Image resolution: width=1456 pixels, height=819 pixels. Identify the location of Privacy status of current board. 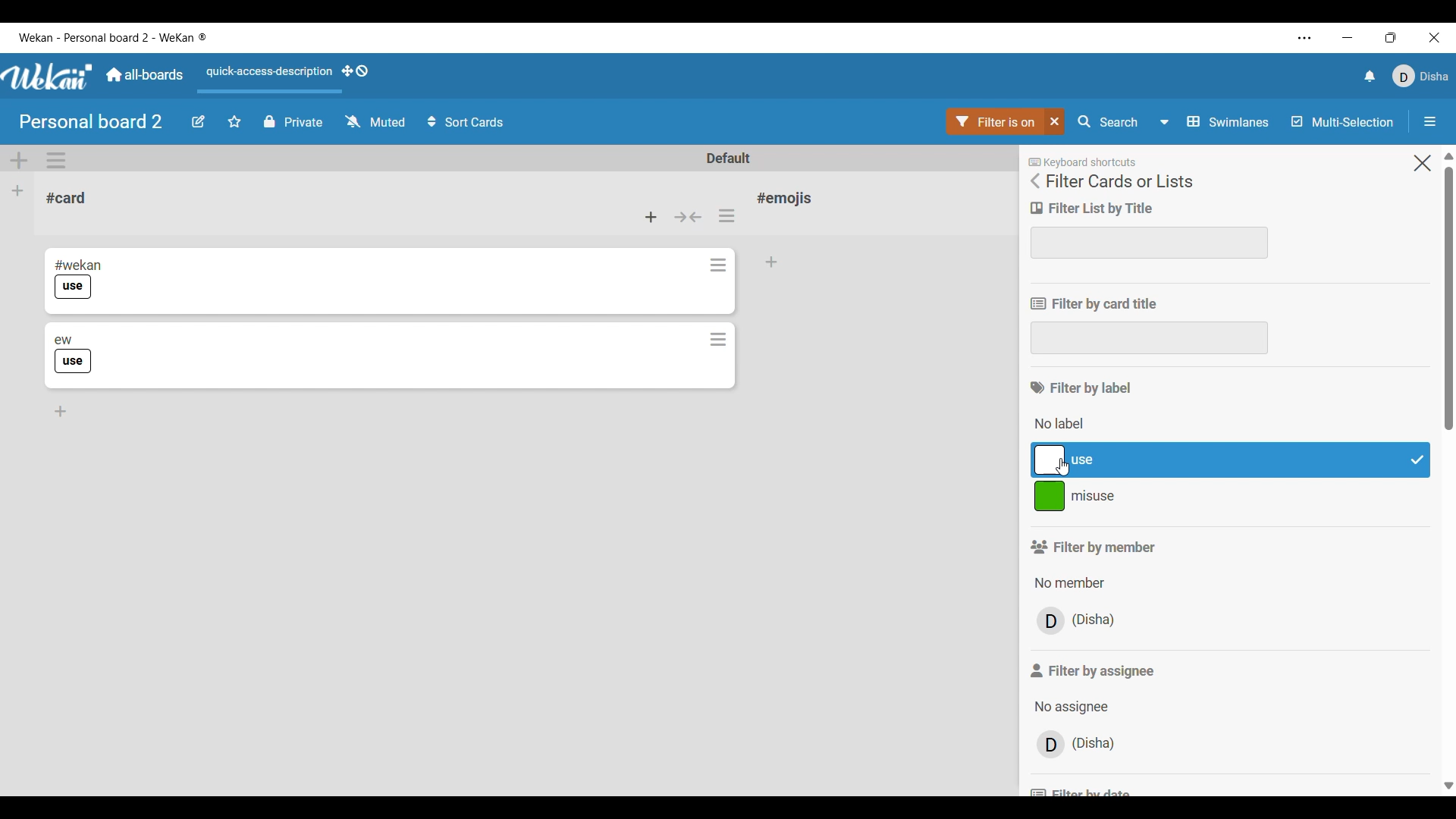
(293, 121).